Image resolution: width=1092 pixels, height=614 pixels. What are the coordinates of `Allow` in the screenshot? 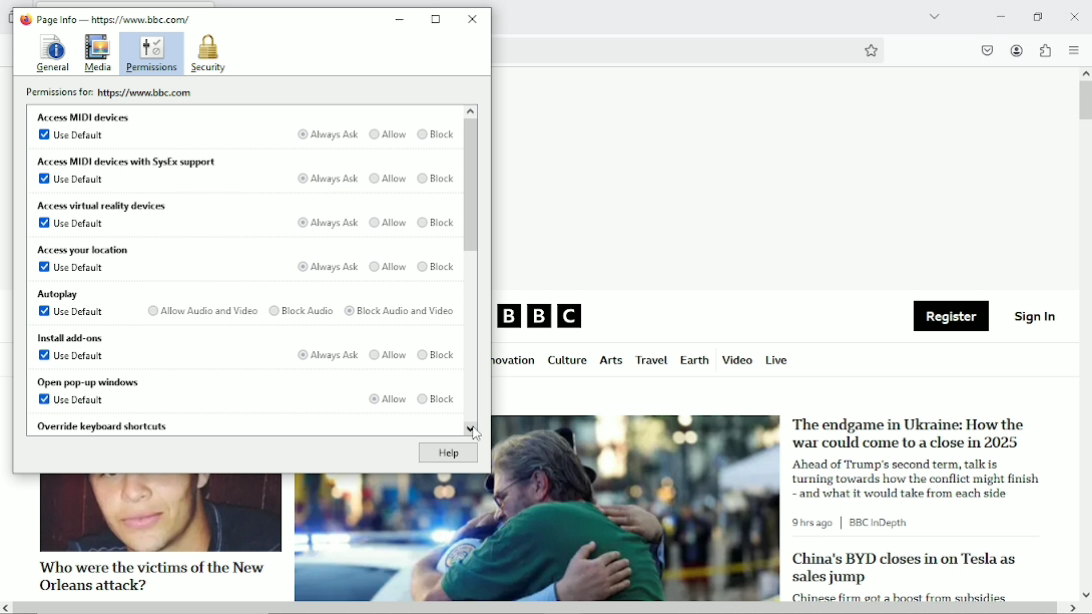 It's located at (387, 178).